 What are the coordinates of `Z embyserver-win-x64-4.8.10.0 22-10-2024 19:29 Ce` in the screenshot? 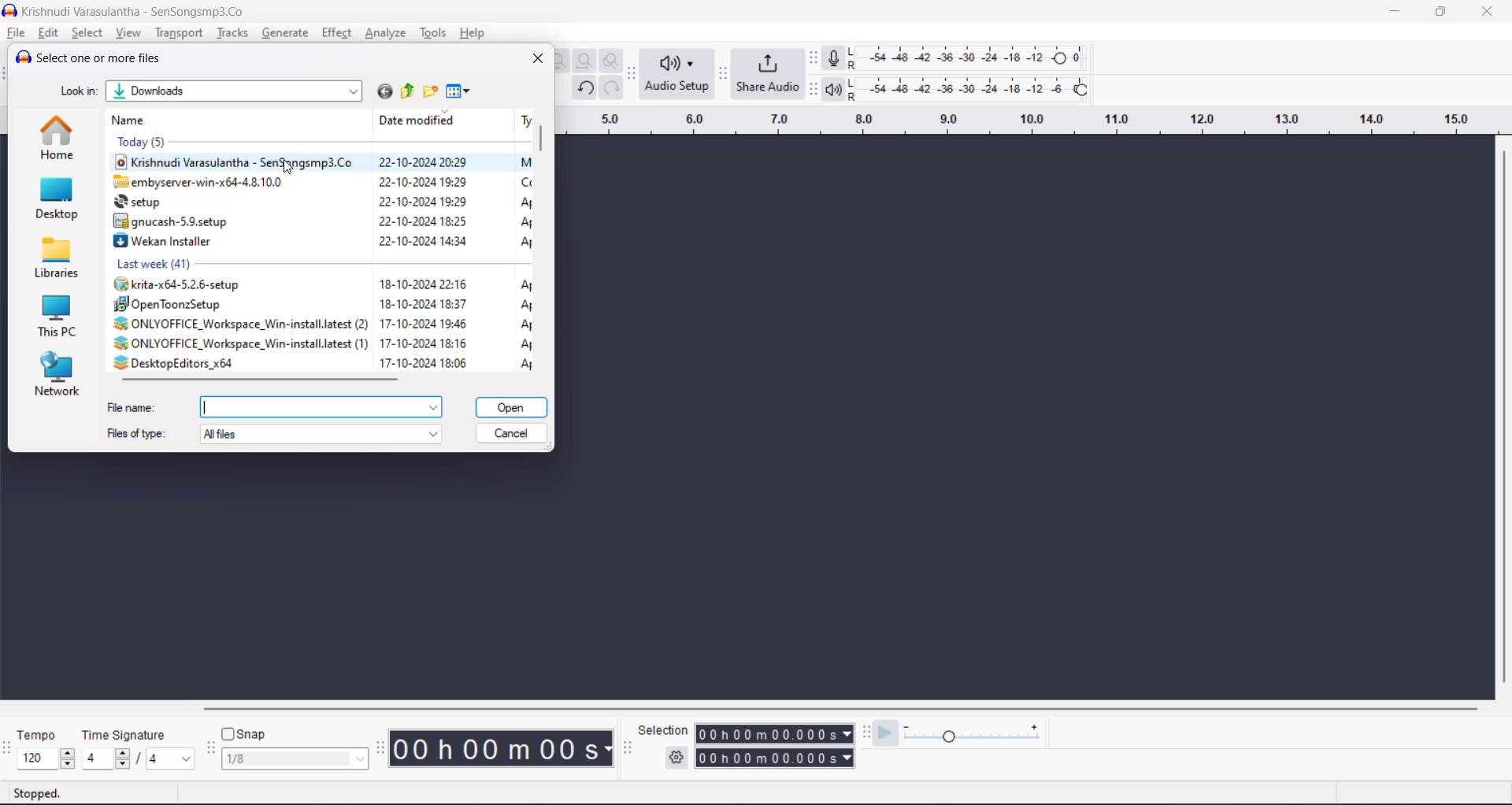 It's located at (321, 181).